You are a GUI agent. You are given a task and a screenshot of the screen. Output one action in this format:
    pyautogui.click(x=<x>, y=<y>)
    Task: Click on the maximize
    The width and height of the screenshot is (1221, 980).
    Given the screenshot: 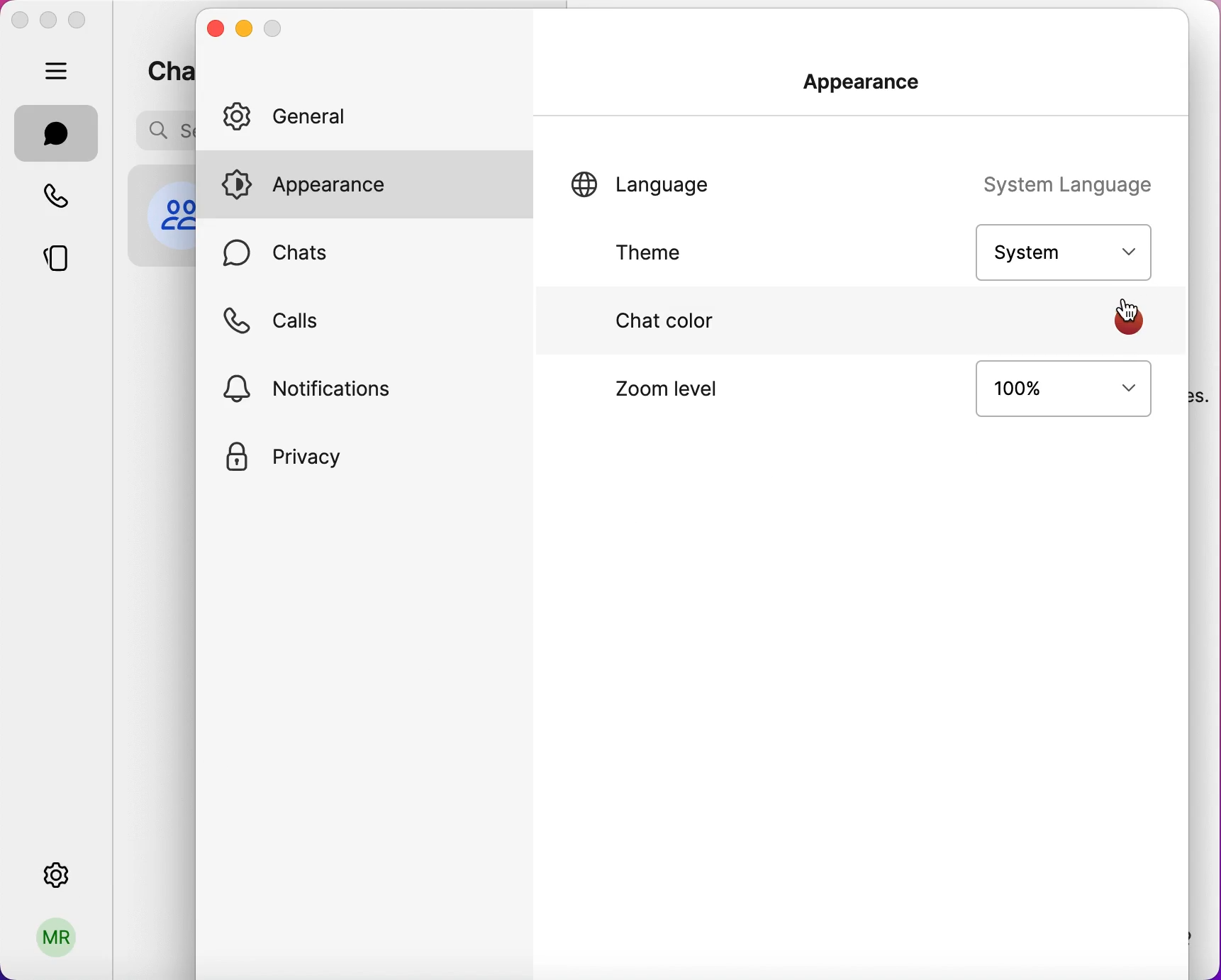 What is the action you would take?
    pyautogui.click(x=82, y=21)
    